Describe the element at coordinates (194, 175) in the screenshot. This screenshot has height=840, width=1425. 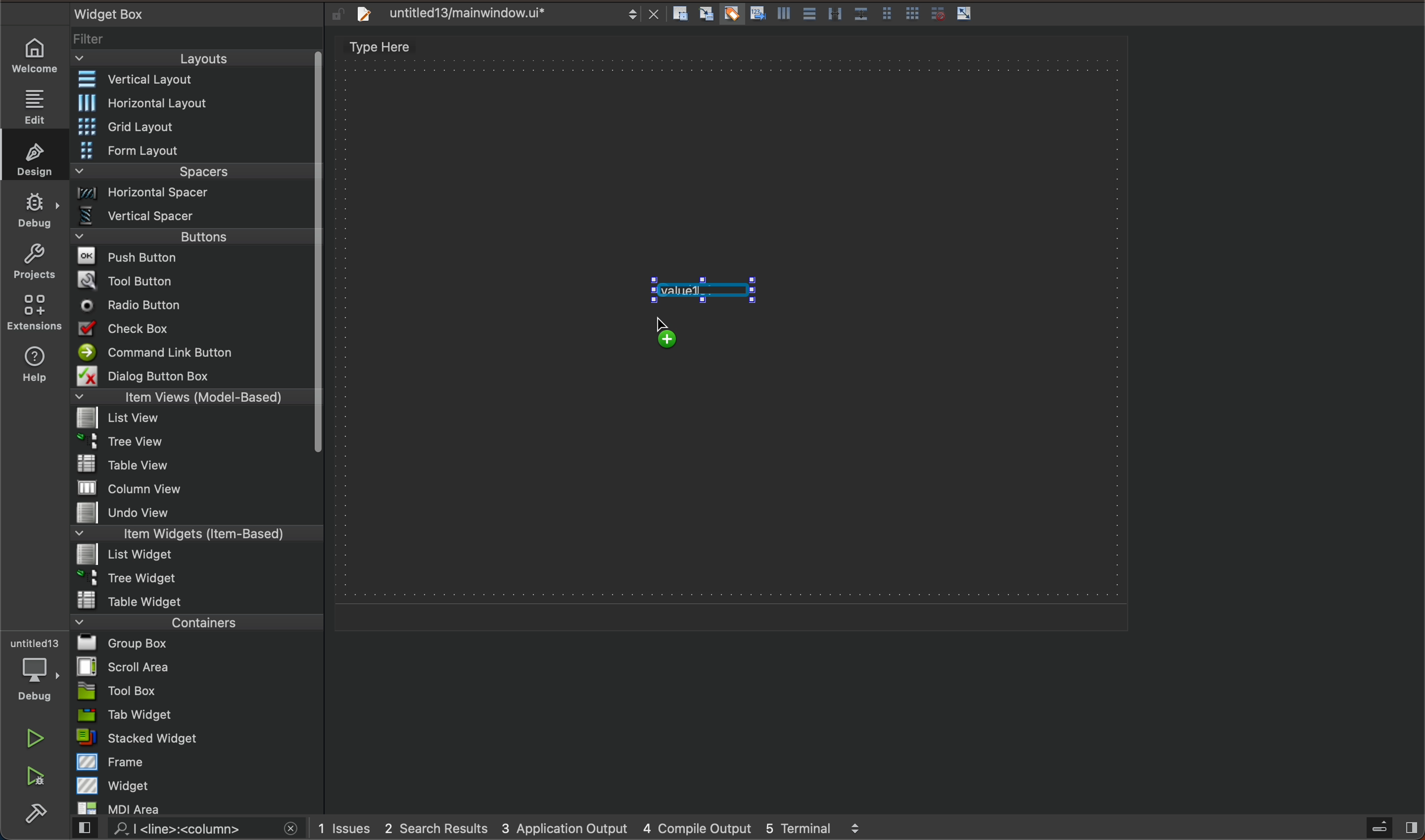
I see `spacers` at that location.